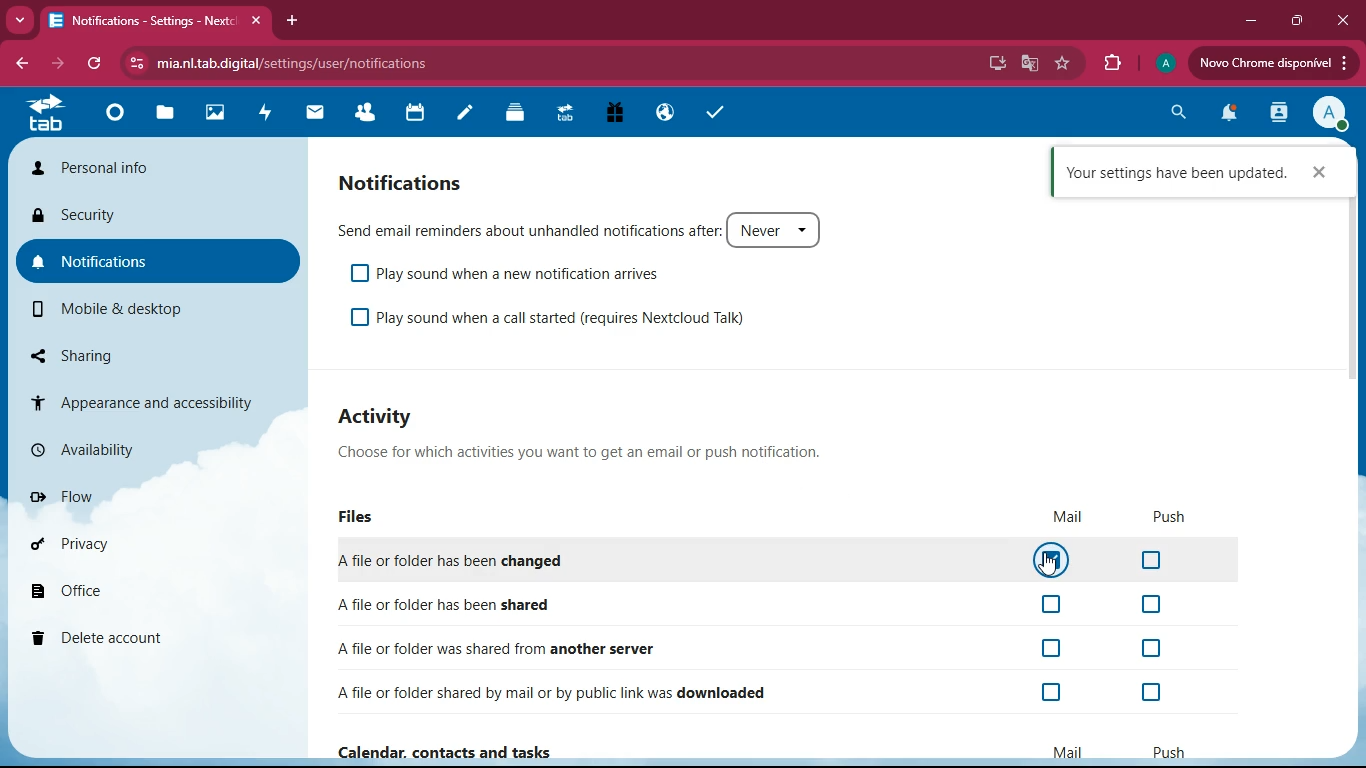  Describe the element at coordinates (1048, 563) in the screenshot. I see `cursor` at that location.